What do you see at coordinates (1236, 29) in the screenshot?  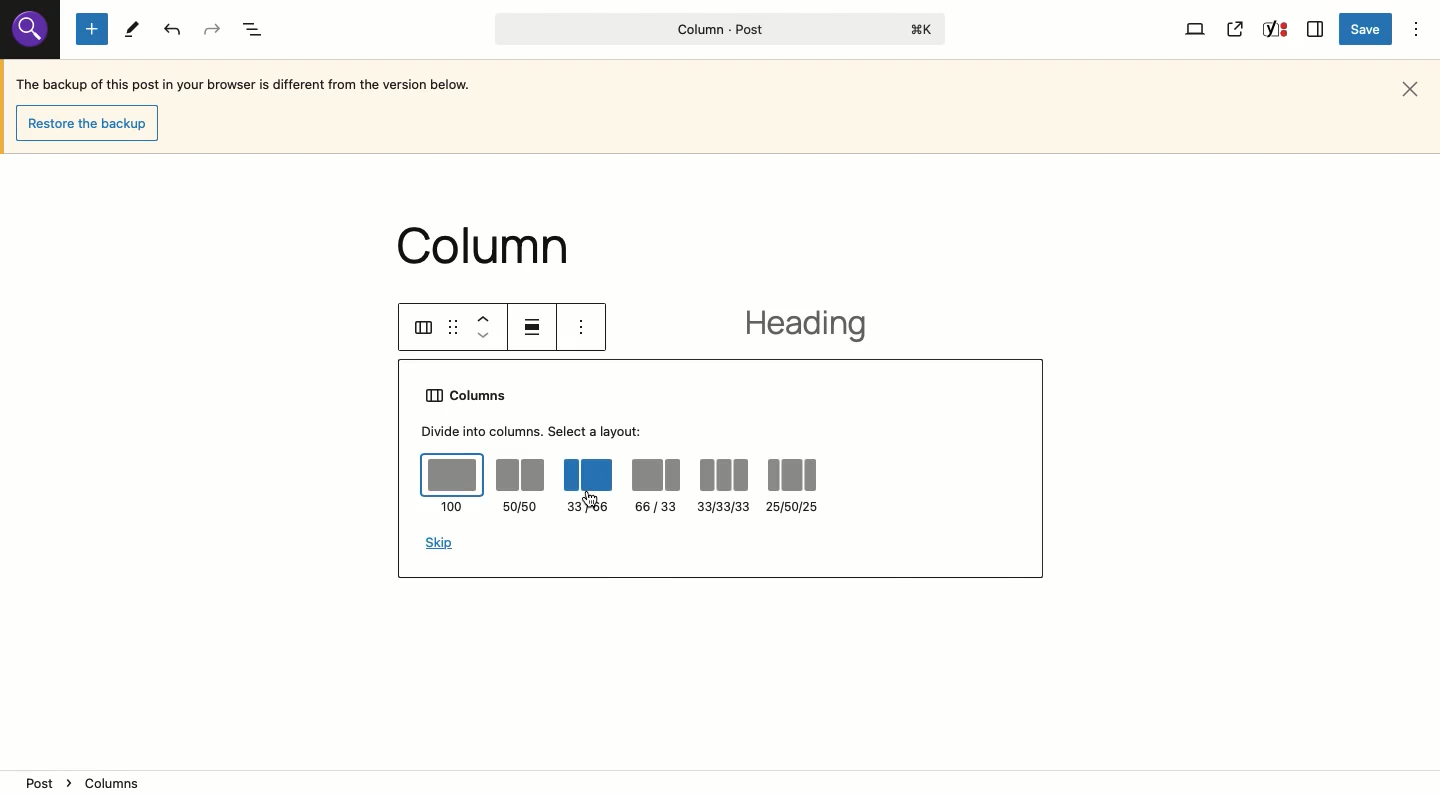 I see `View post` at bounding box center [1236, 29].